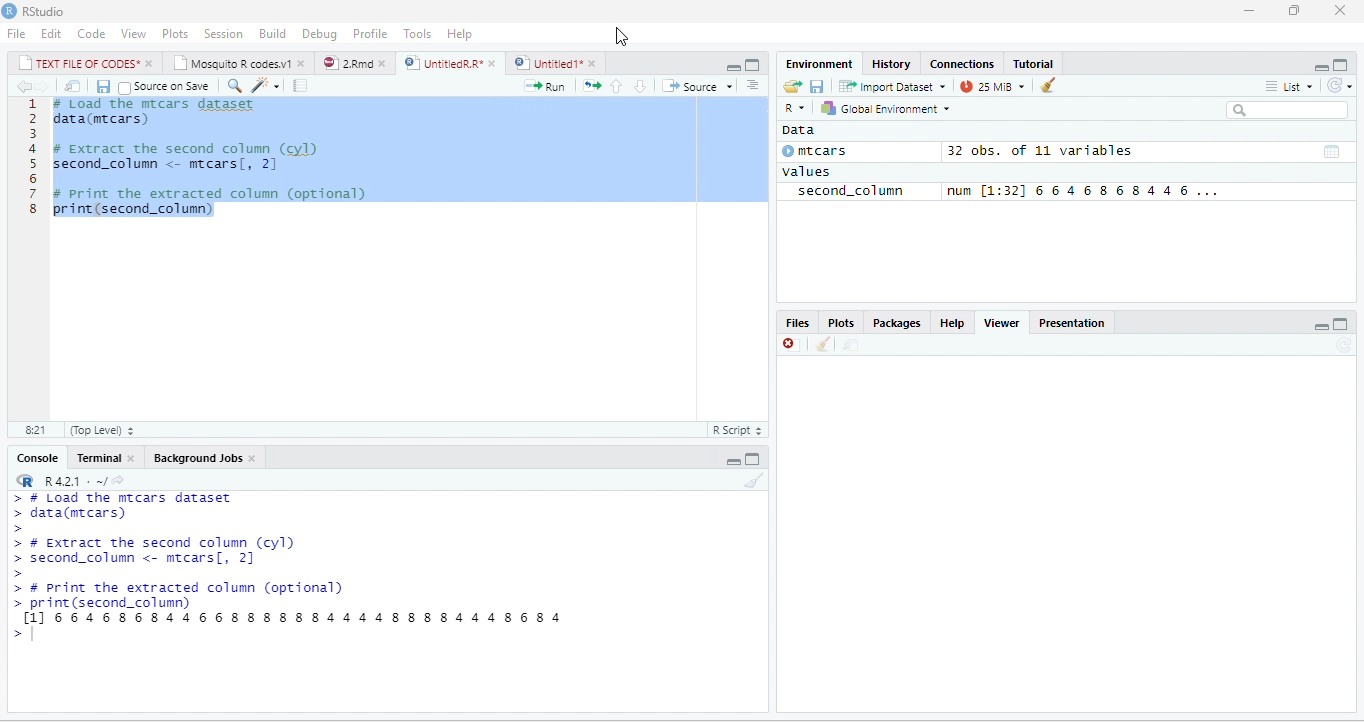 The width and height of the screenshot is (1364, 722). I want to click on Edit, so click(51, 34).